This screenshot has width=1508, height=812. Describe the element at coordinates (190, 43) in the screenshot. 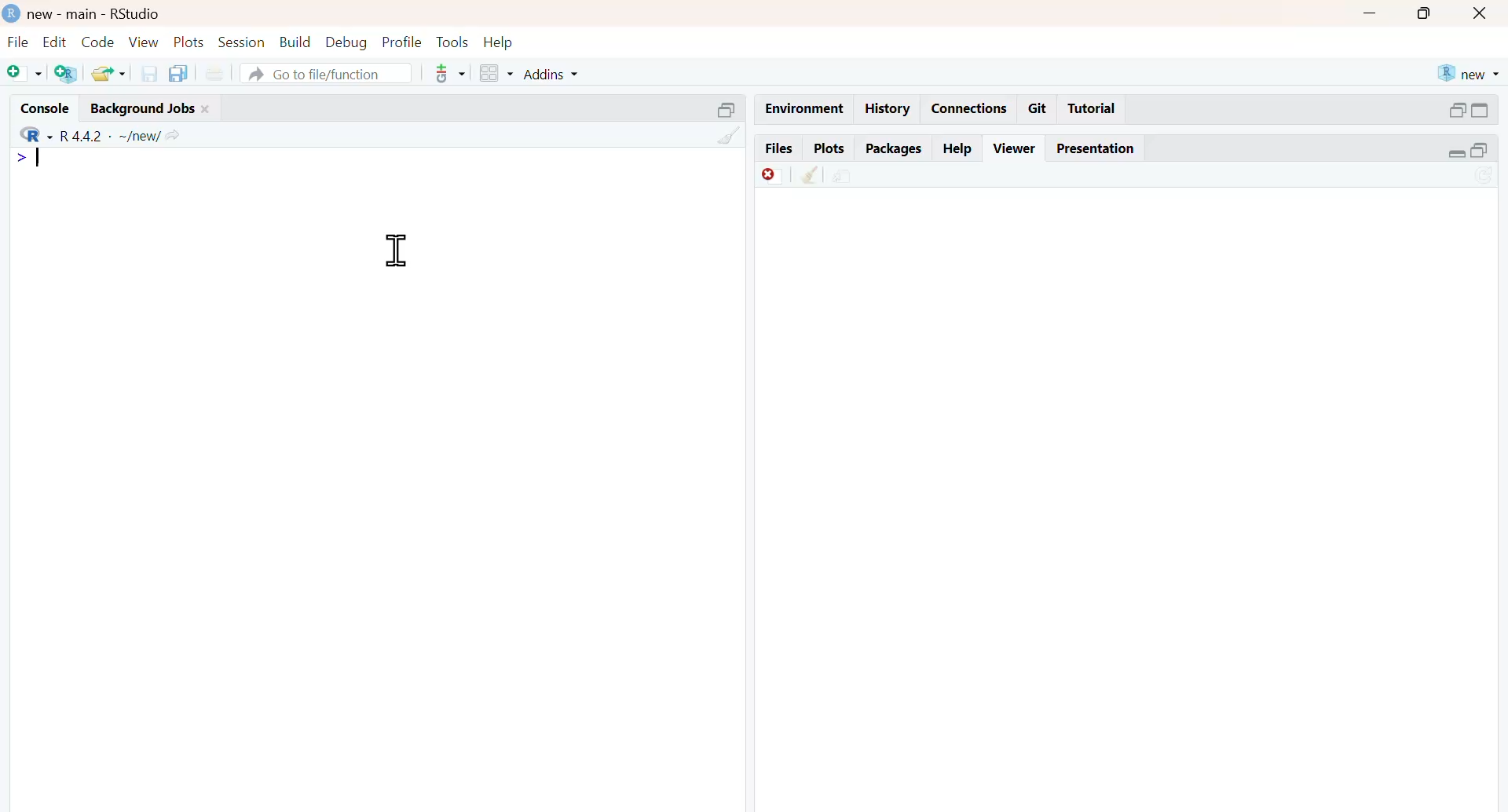

I see `plots` at that location.